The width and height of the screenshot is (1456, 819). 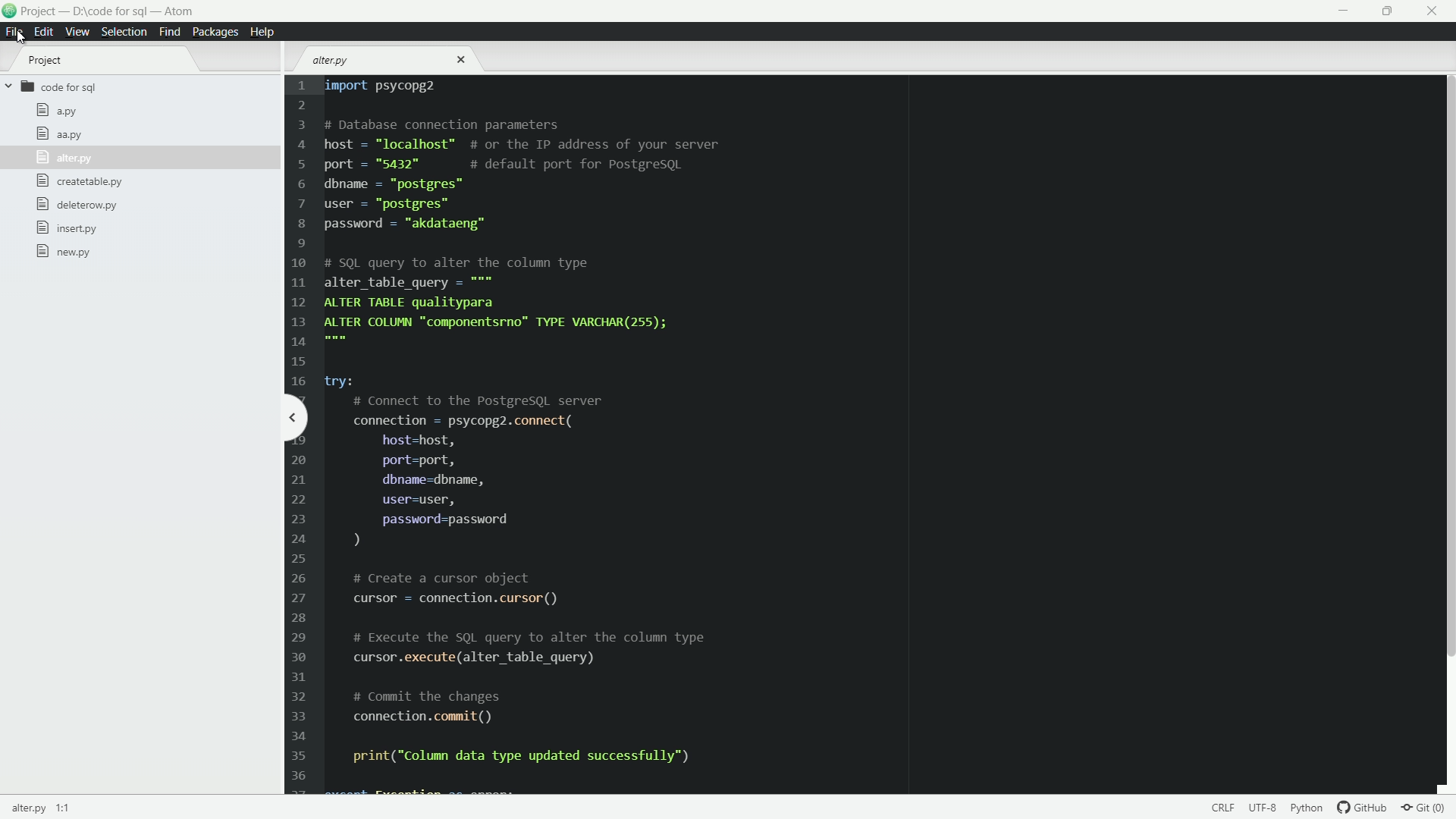 What do you see at coordinates (64, 251) in the screenshot?
I see `new.py file` at bounding box center [64, 251].